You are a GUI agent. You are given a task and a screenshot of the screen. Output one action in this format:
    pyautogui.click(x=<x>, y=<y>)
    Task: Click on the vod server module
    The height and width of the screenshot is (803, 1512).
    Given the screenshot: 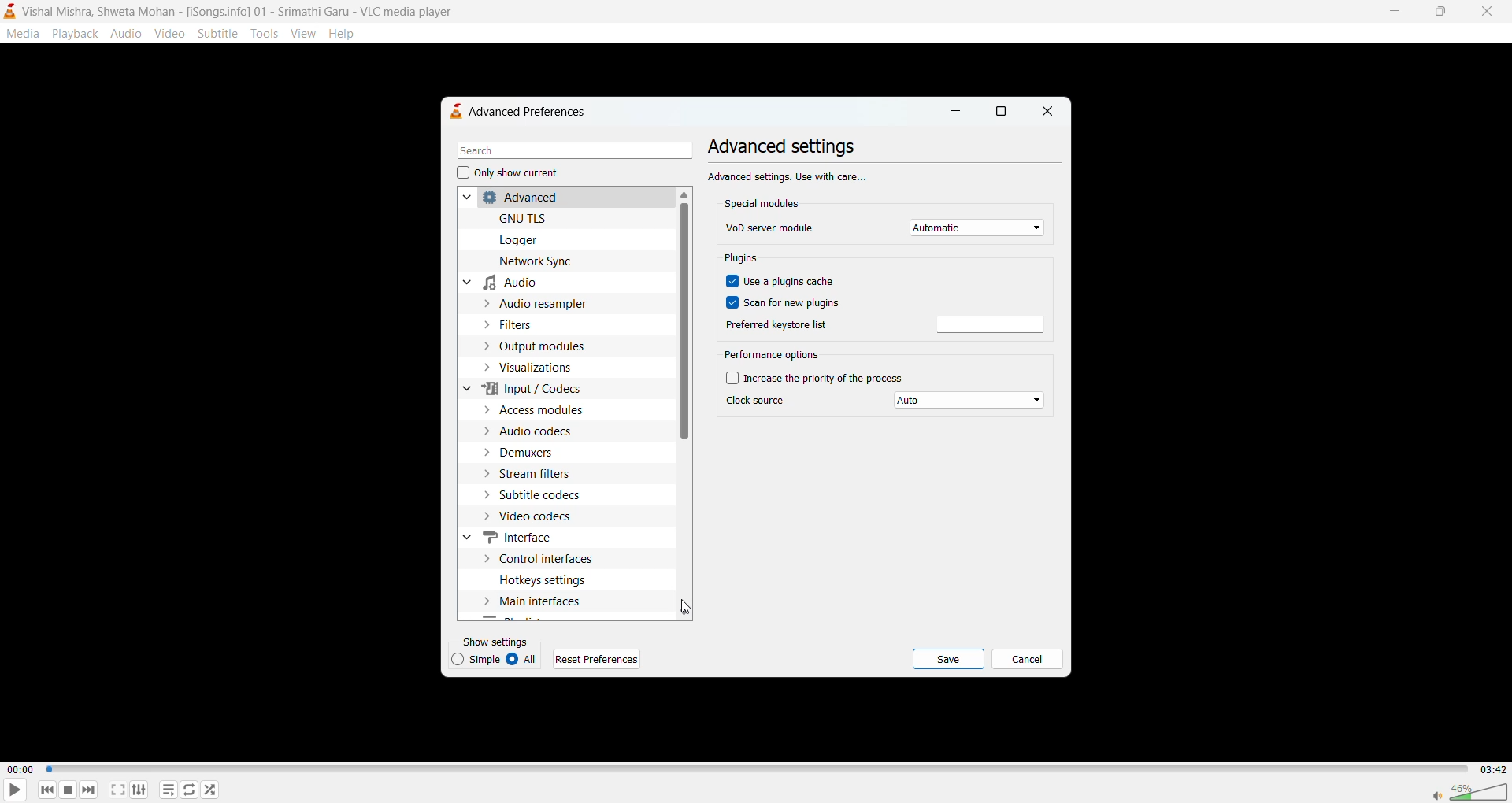 What is the action you would take?
    pyautogui.click(x=769, y=228)
    